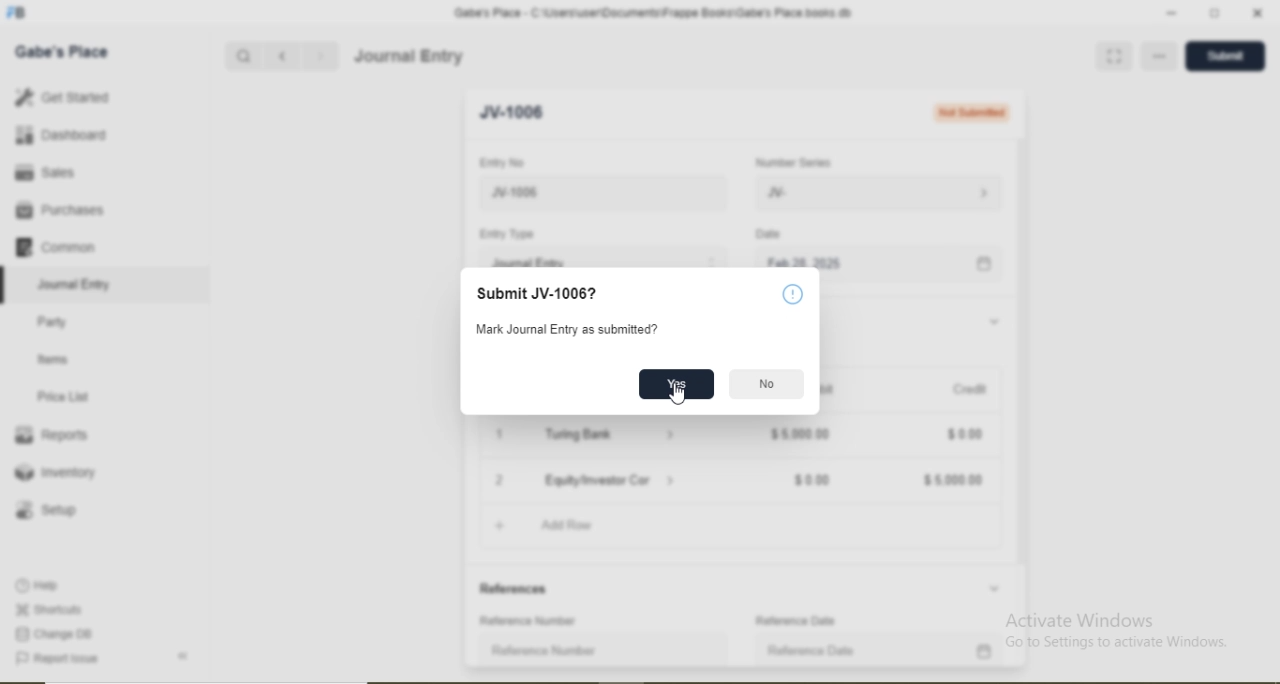  I want to click on full screen, so click(1215, 13).